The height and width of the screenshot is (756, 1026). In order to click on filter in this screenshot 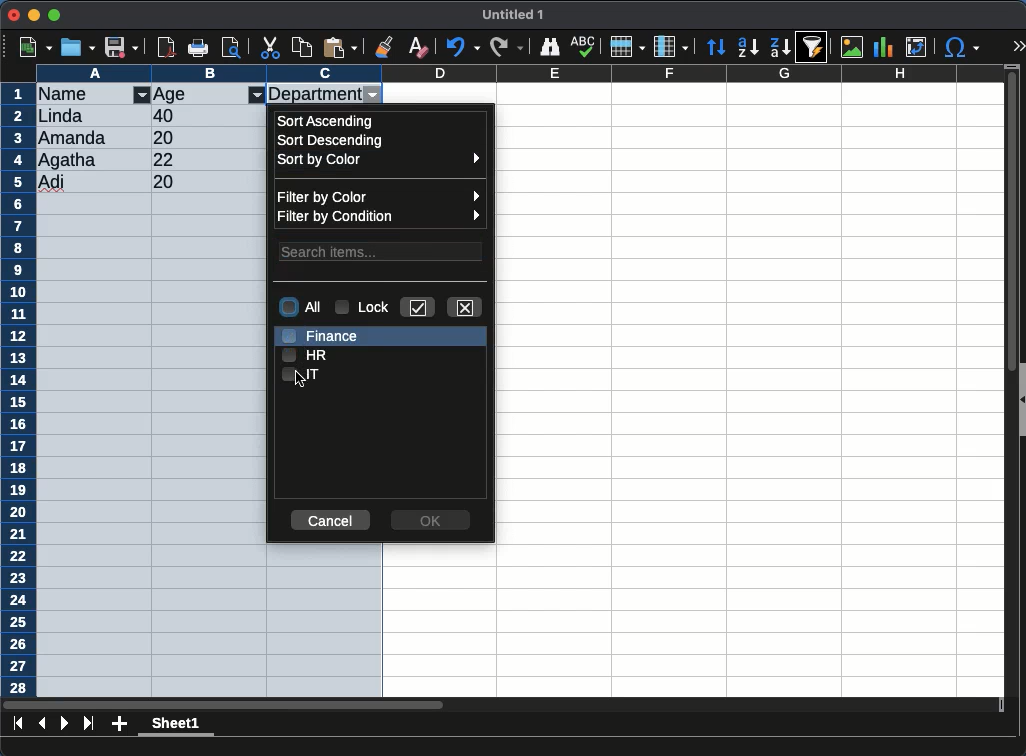, I will do `click(373, 96)`.